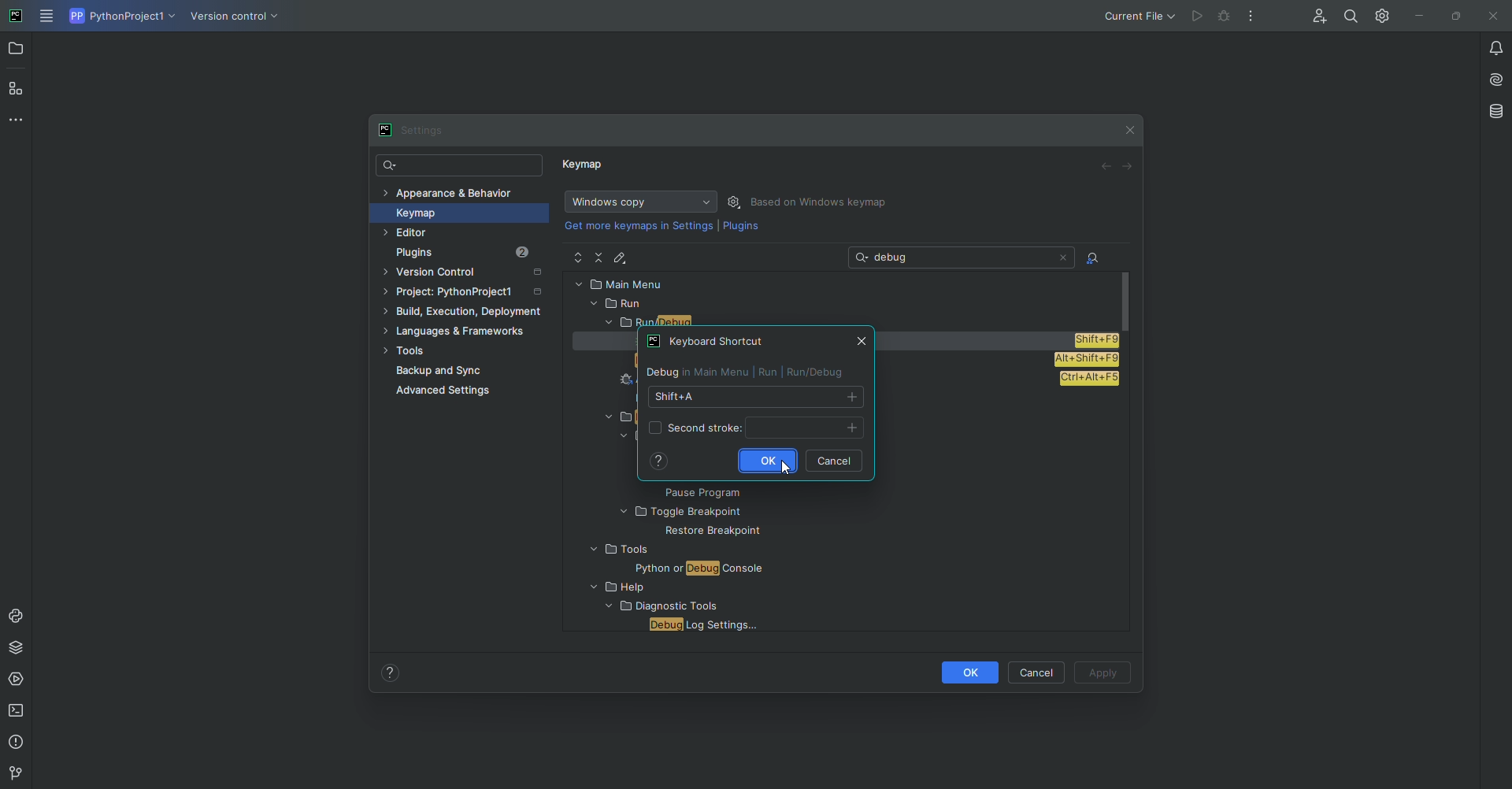 The image size is (1512, 789). I want to click on Settings, so click(418, 130).